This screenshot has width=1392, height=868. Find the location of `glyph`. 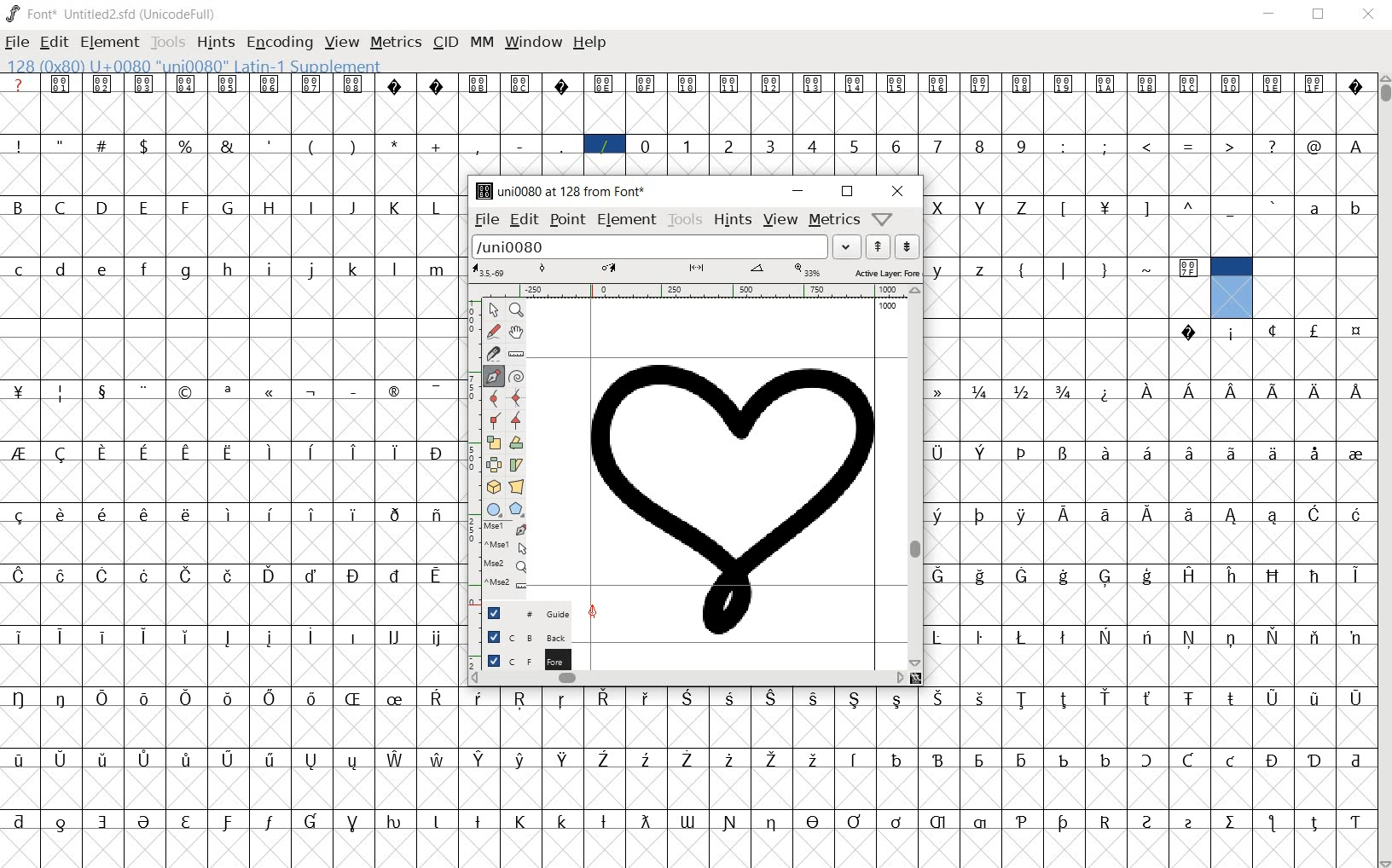

glyph is located at coordinates (355, 637).